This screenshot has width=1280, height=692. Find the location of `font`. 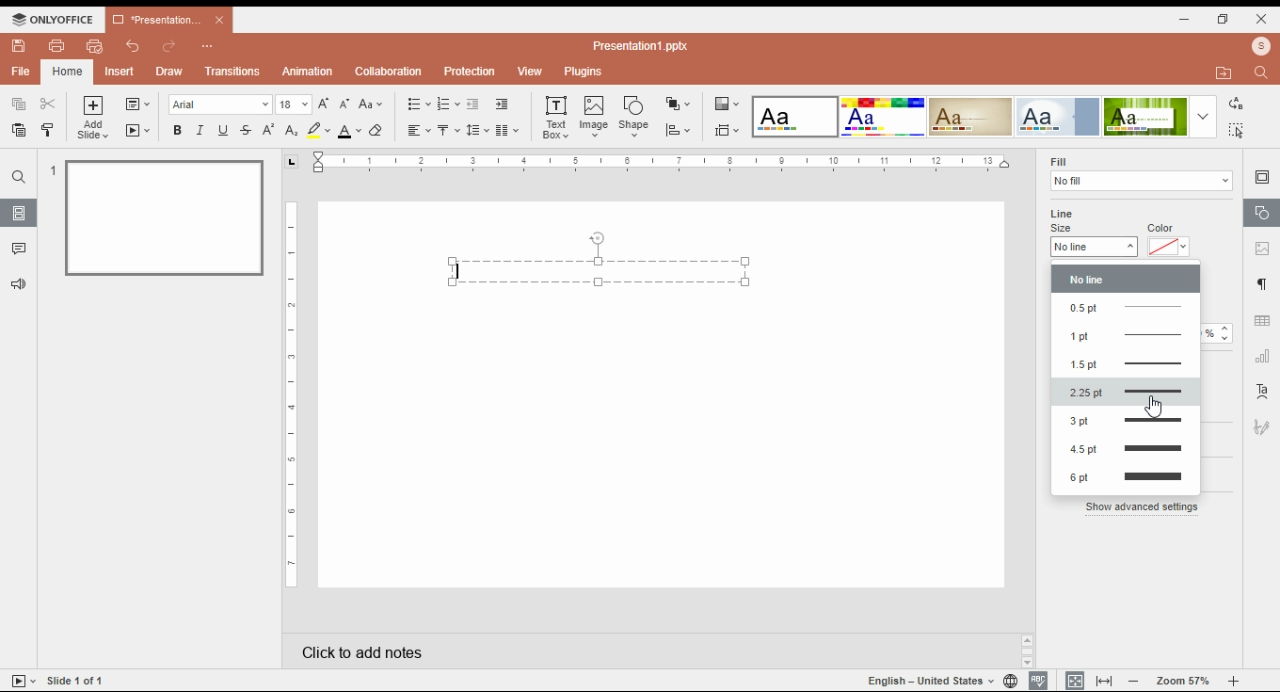

font is located at coordinates (220, 104).